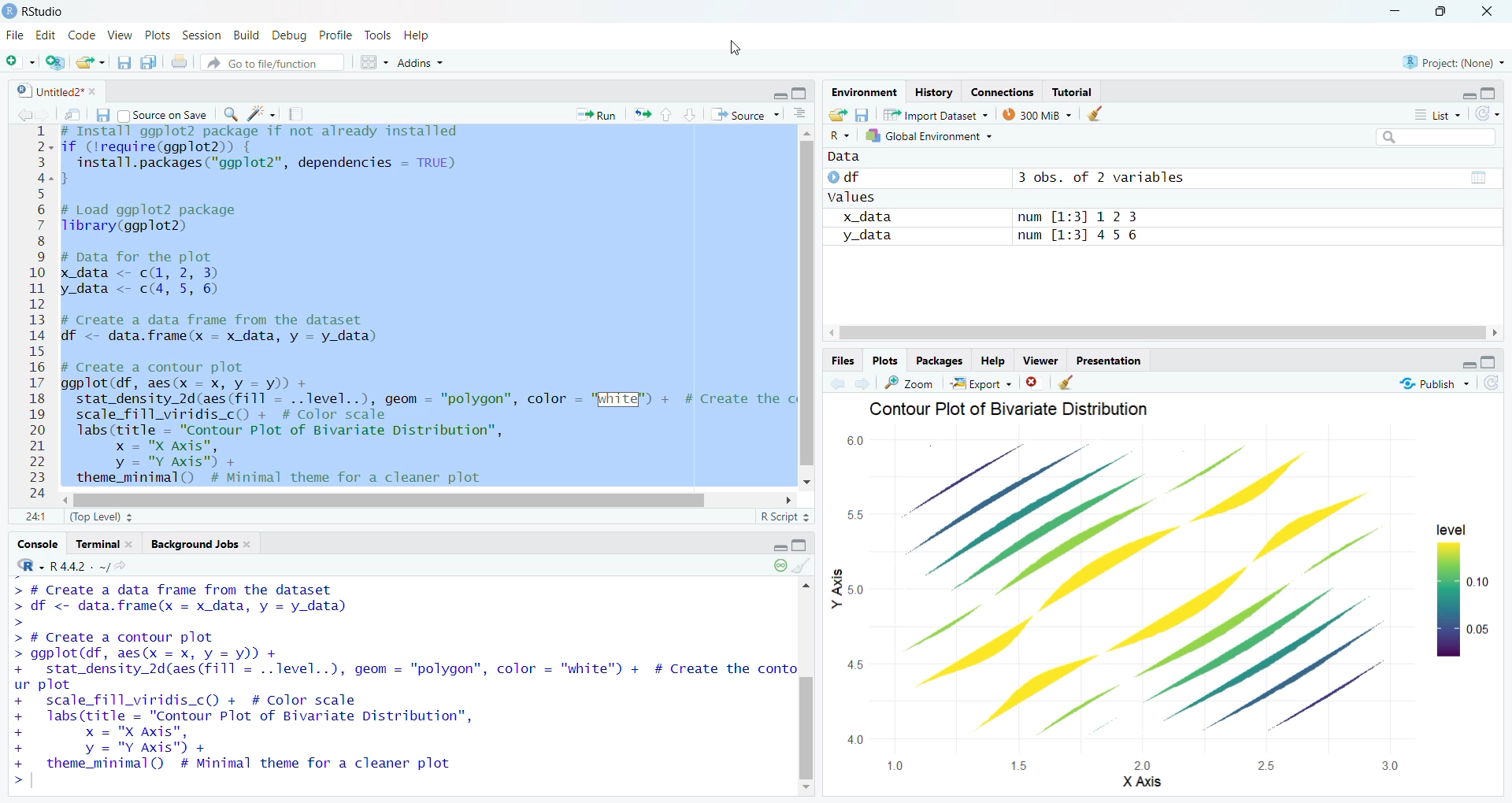  Describe the element at coordinates (778, 94) in the screenshot. I see `hide r script` at that location.